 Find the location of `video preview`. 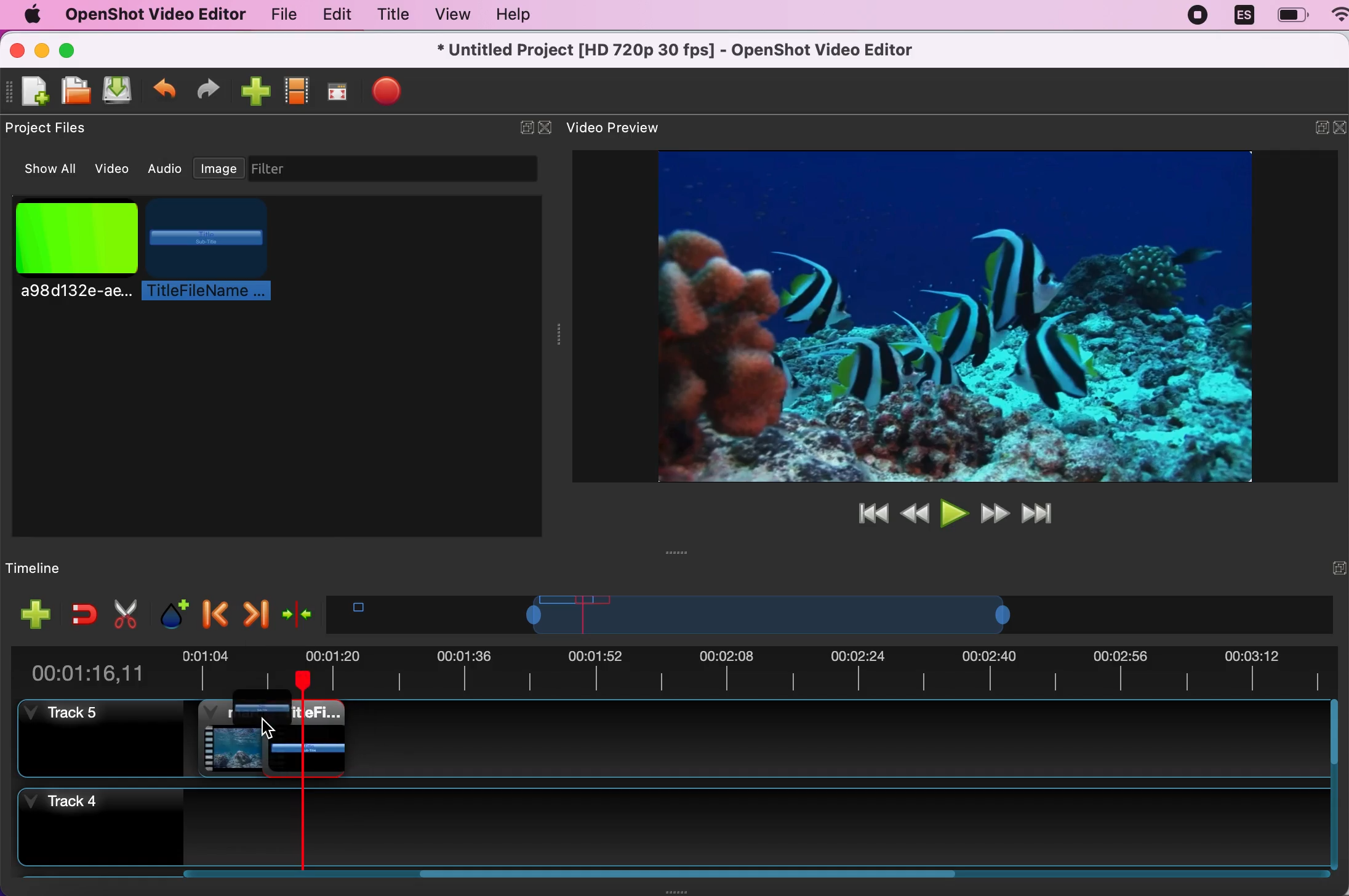

video preview is located at coordinates (939, 314).